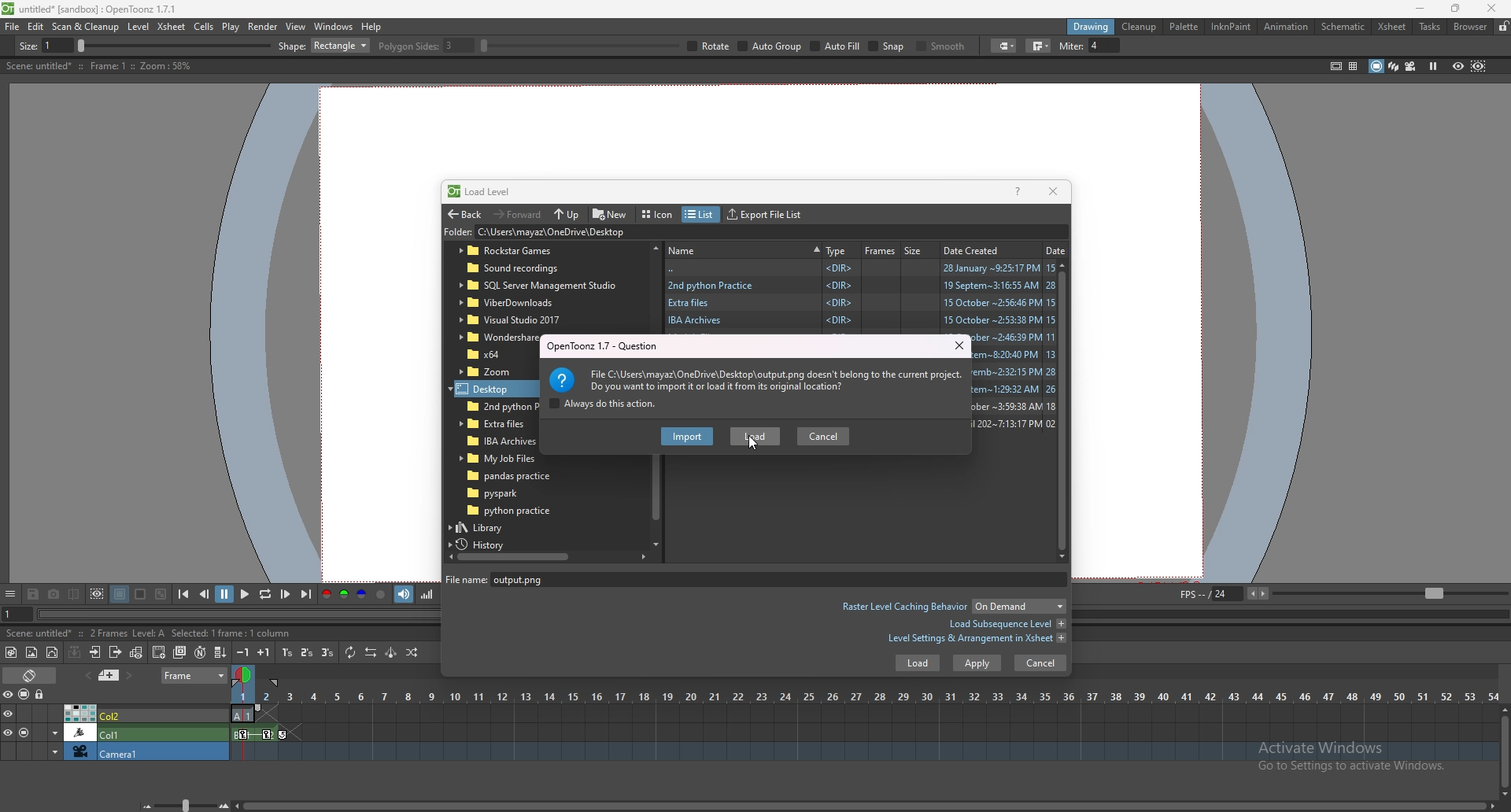 The height and width of the screenshot is (812, 1511). I want to click on folder, so click(538, 286).